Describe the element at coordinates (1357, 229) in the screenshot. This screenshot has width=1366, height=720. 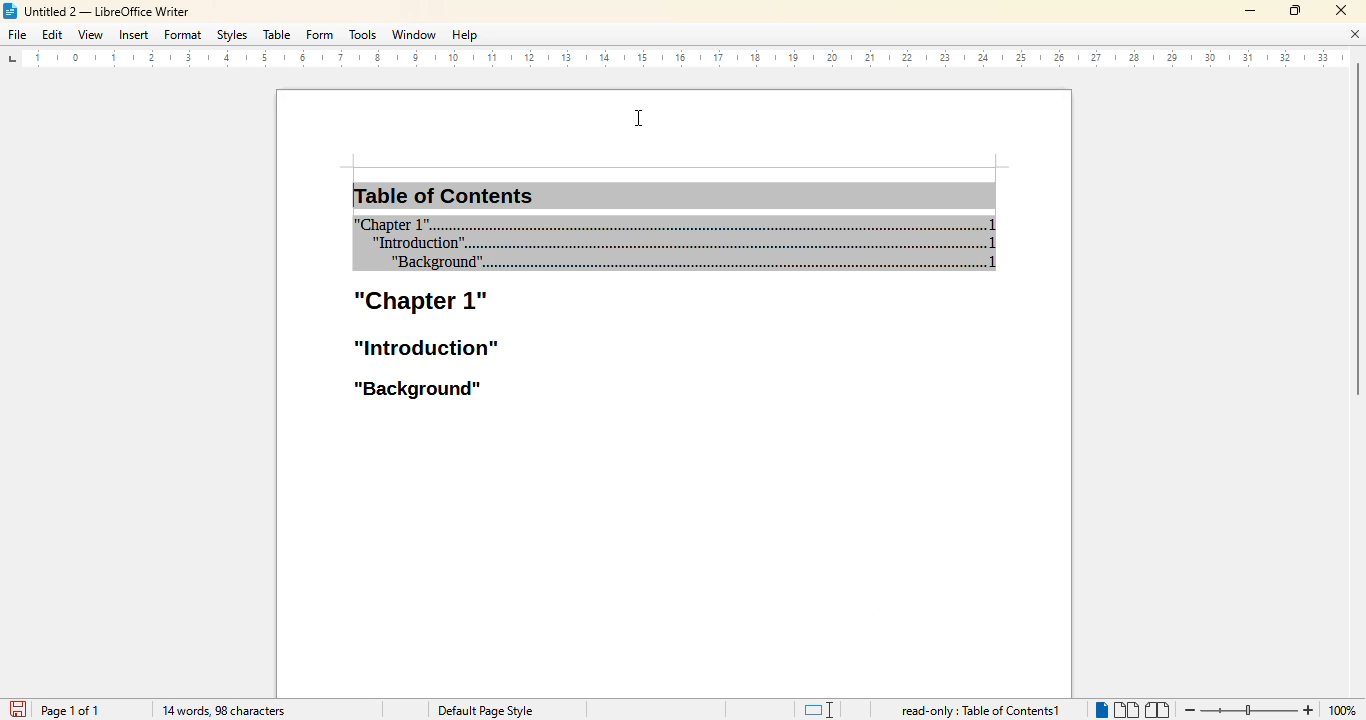
I see `vertical scroll bar` at that location.